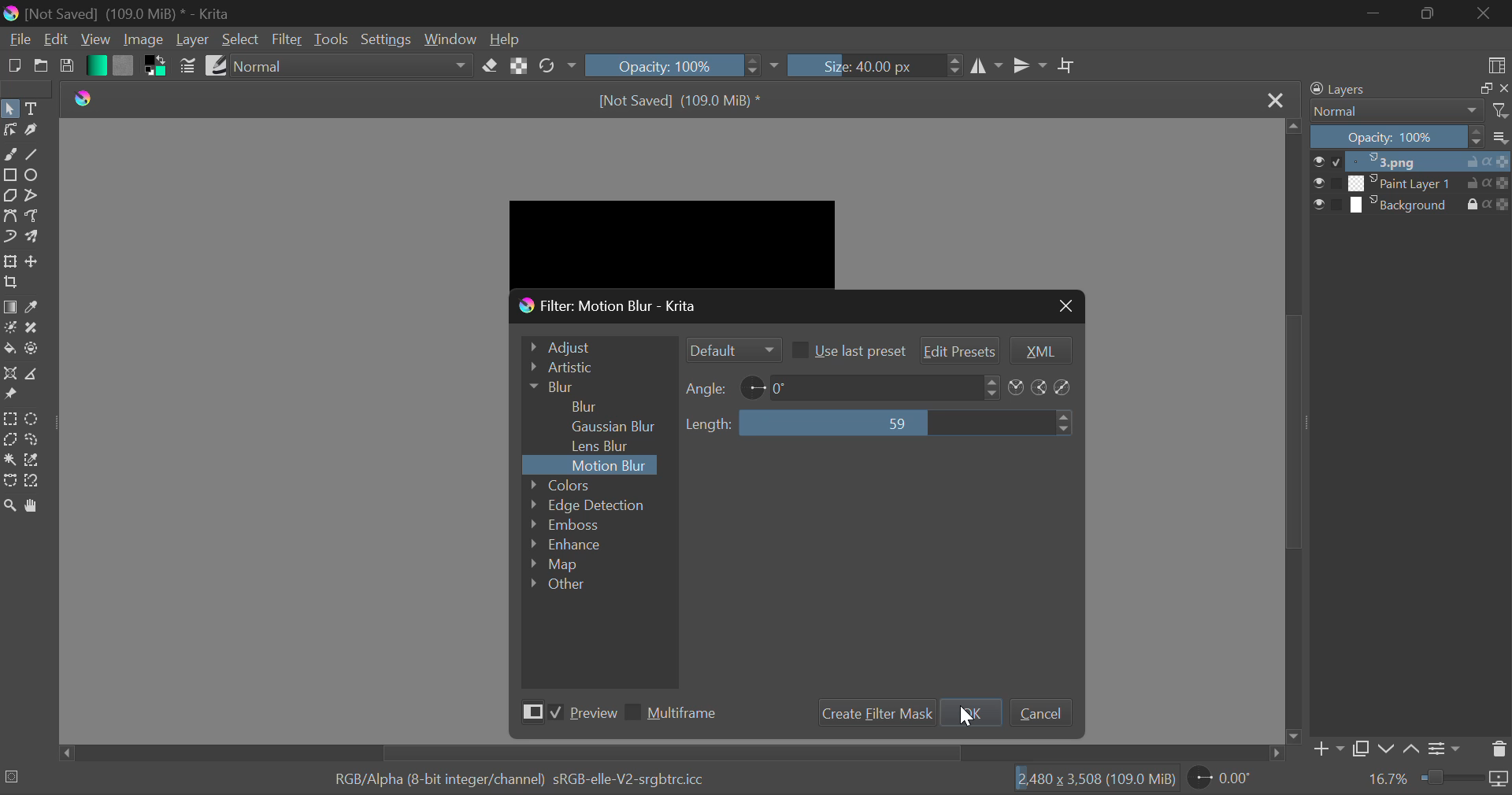 The width and height of the screenshot is (1512, 795). What do you see at coordinates (559, 583) in the screenshot?
I see `Other` at bounding box center [559, 583].